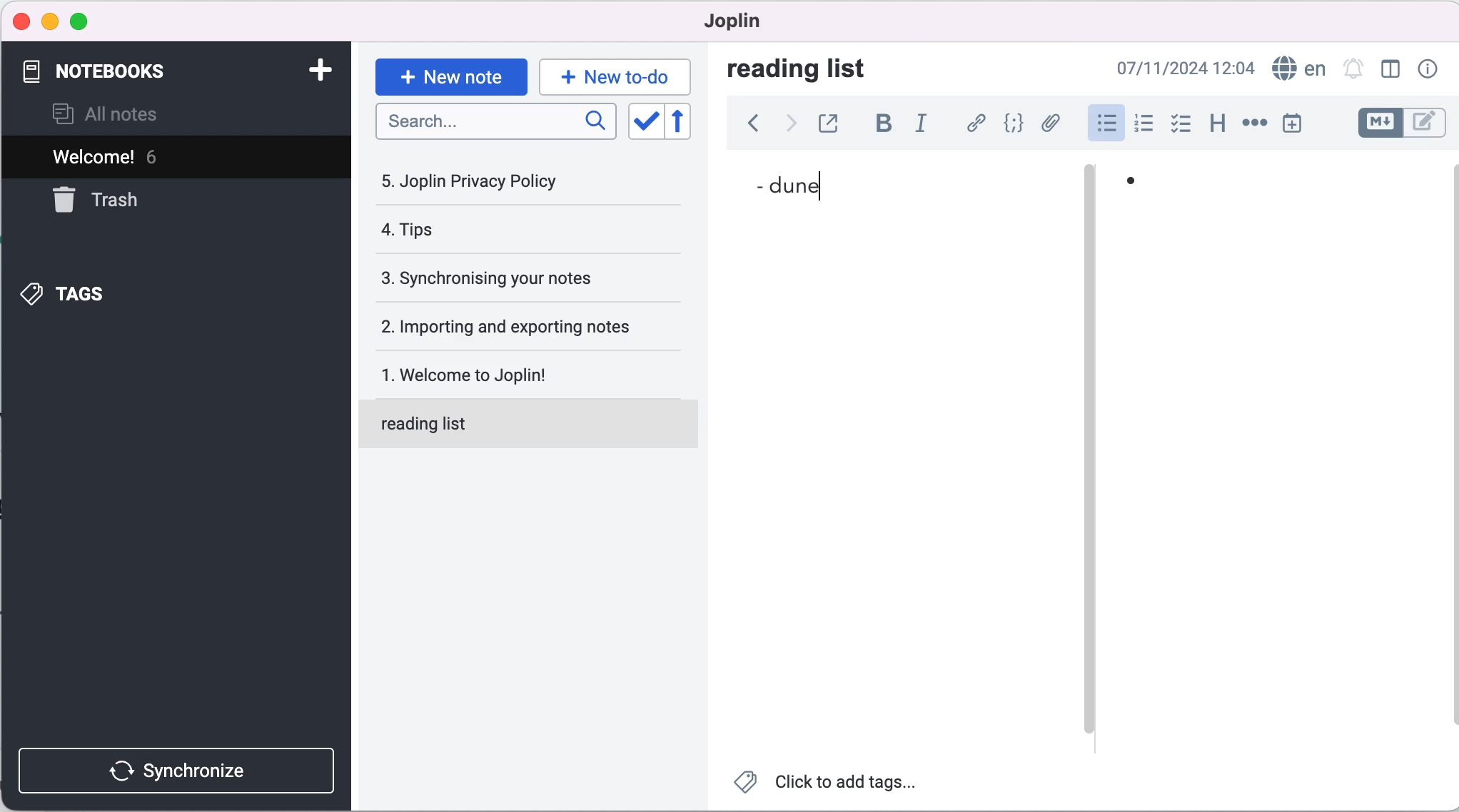 The width and height of the screenshot is (1459, 812). Describe the element at coordinates (829, 787) in the screenshot. I see `click to add tags` at that location.